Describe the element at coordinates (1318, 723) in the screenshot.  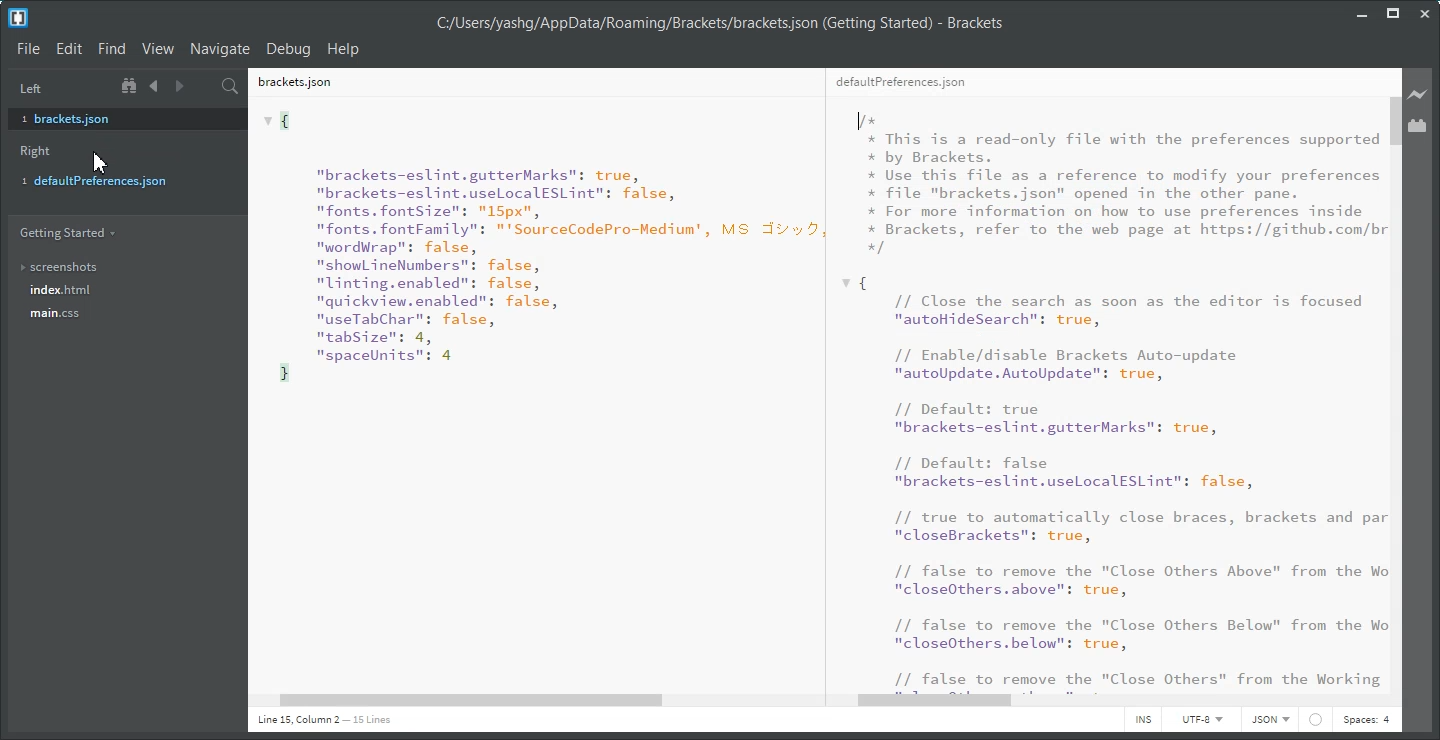
I see `circle` at that location.